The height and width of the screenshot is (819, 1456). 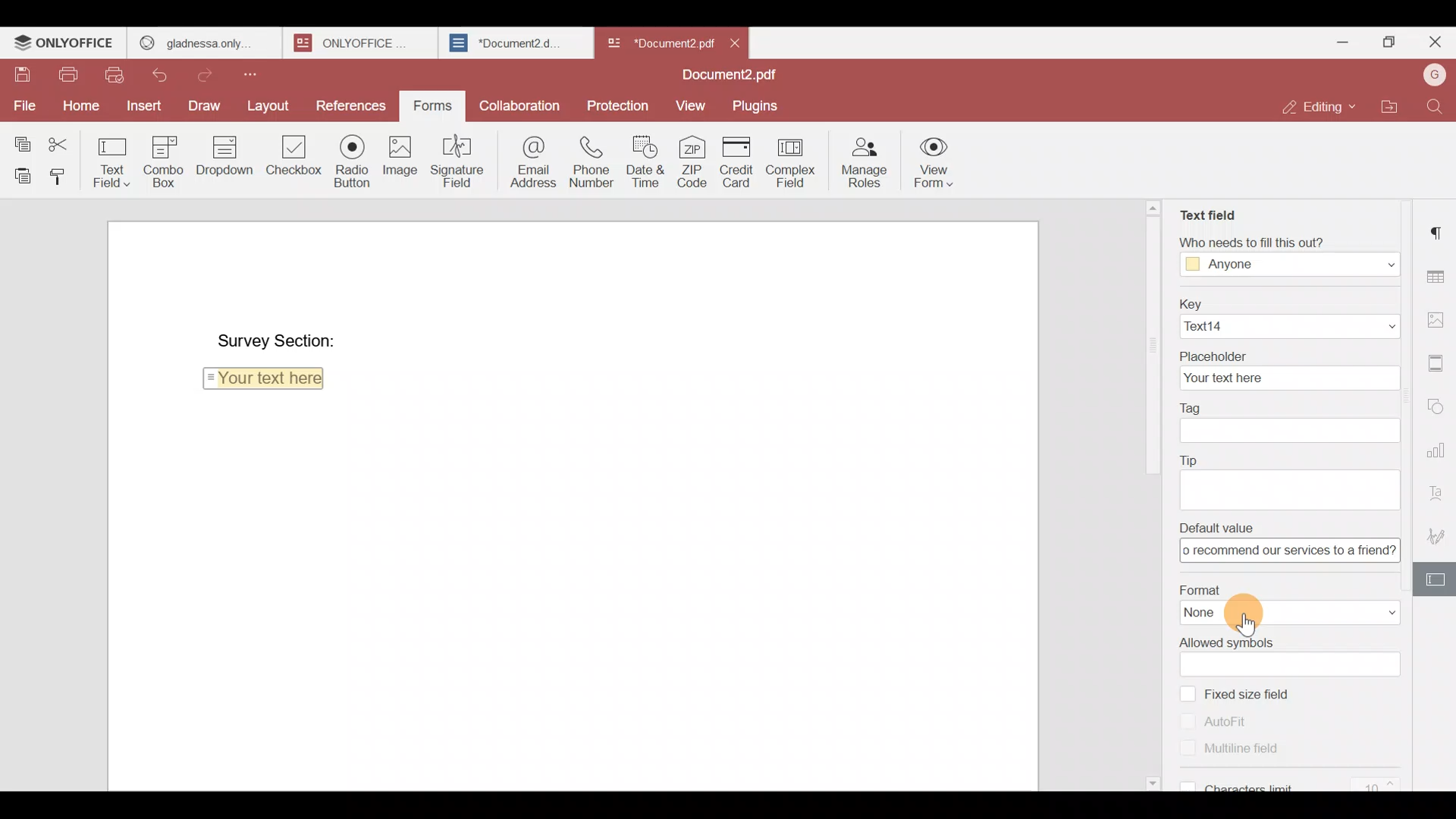 I want to click on Image settings, so click(x=1438, y=315).